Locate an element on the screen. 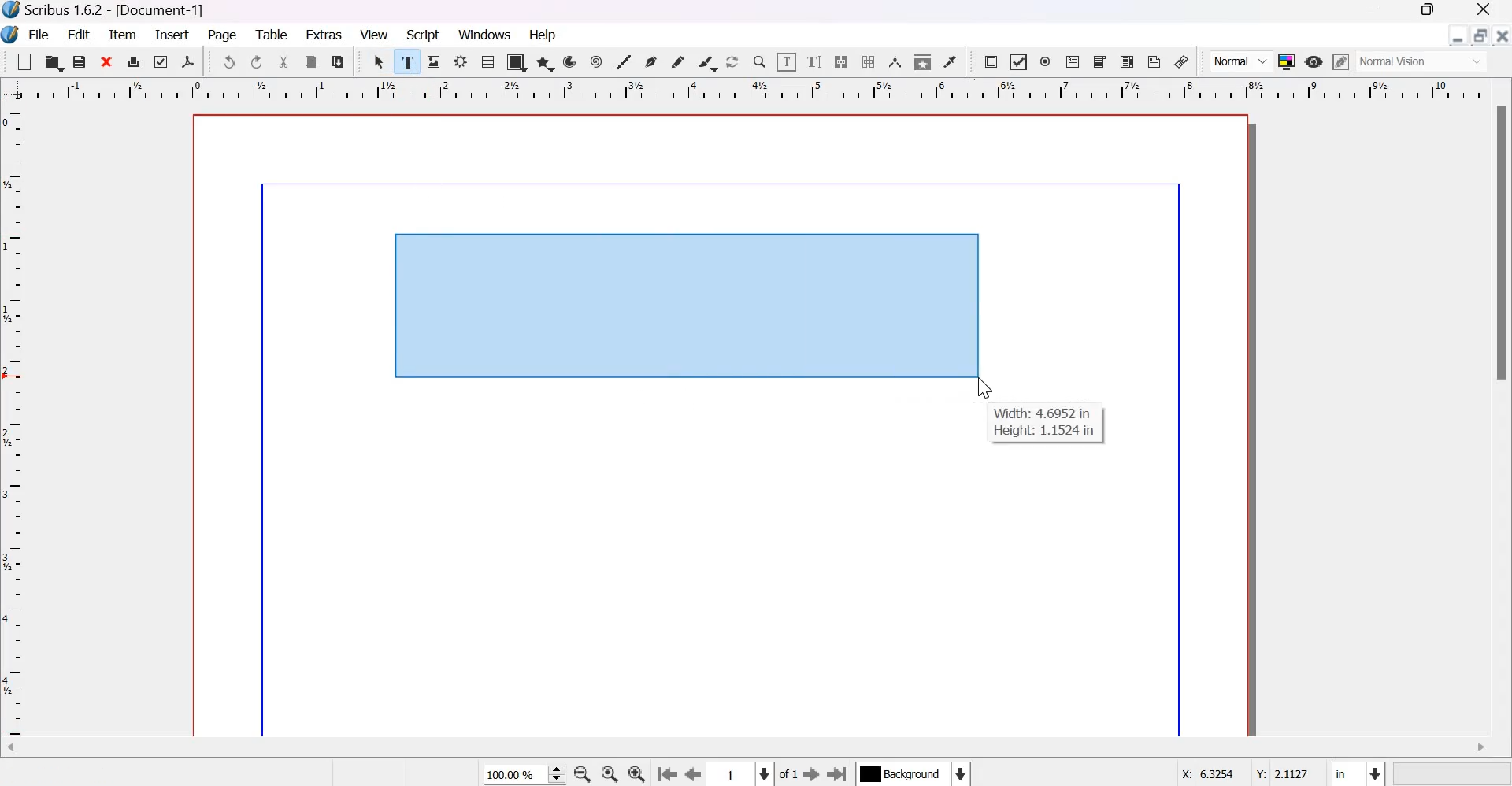  polygon is located at coordinates (547, 63).